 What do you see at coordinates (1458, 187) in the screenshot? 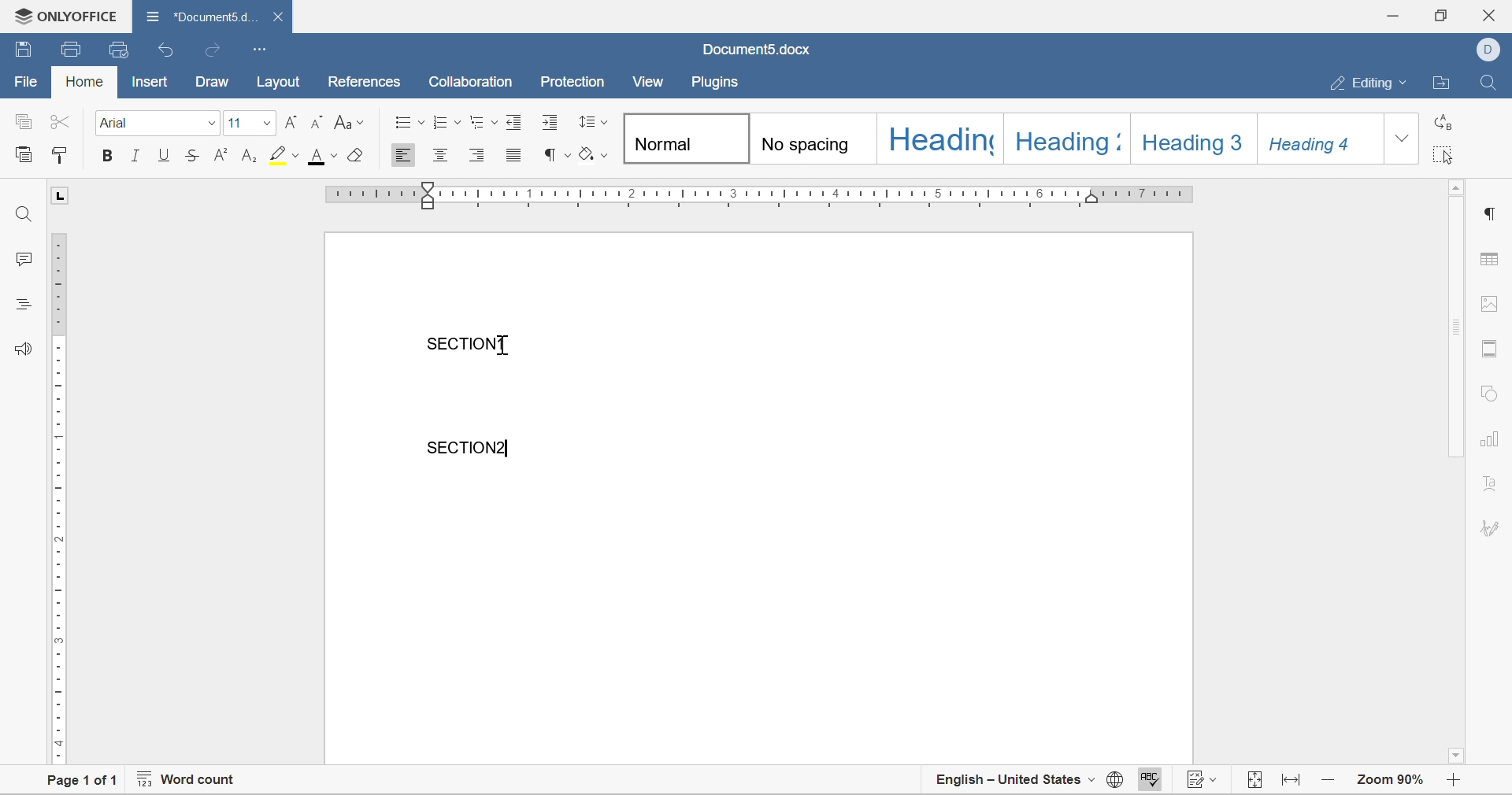
I see `scroll up` at bounding box center [1458, 187].